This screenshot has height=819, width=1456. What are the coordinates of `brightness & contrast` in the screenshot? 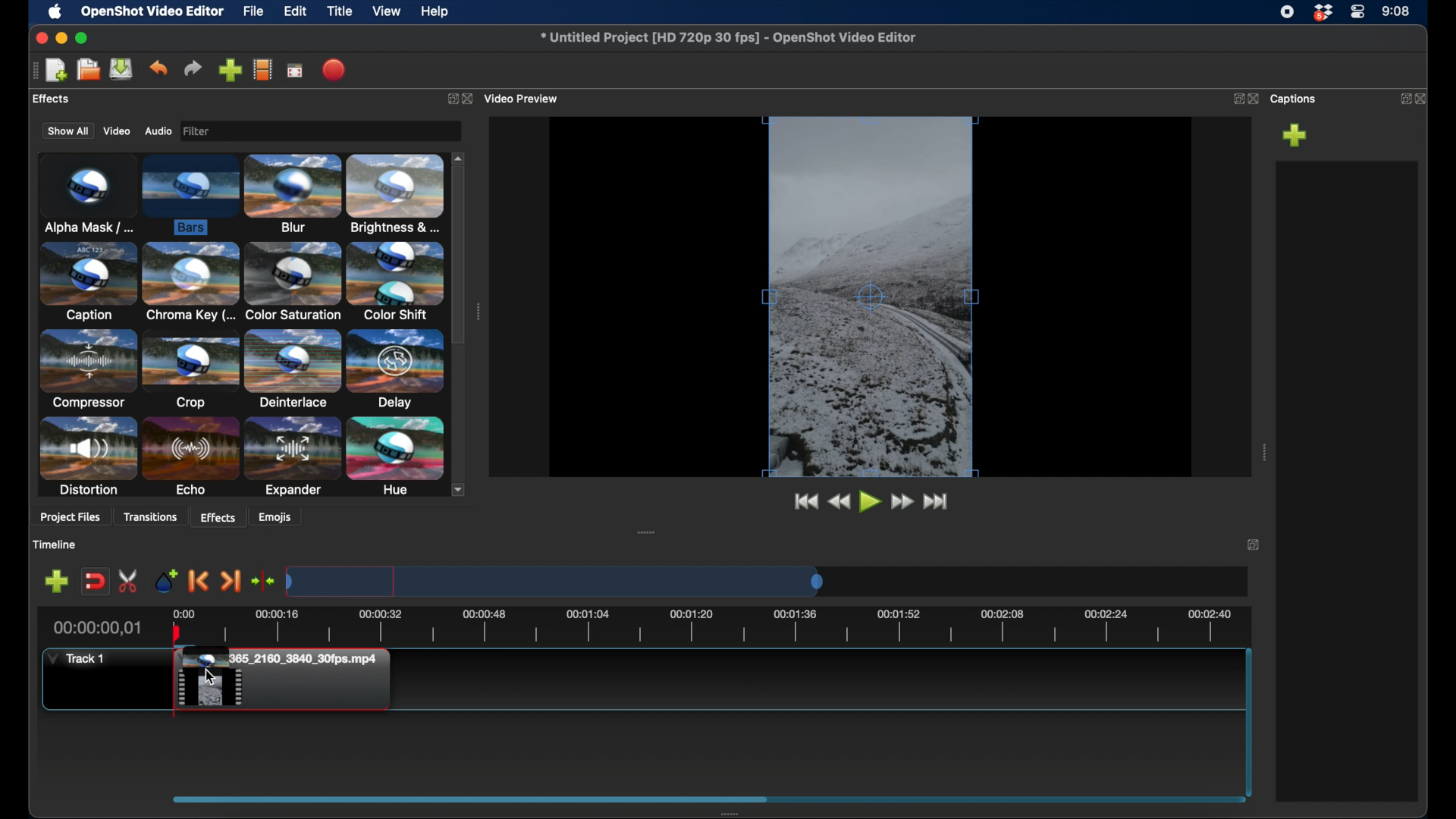 It's located at (397, 194).